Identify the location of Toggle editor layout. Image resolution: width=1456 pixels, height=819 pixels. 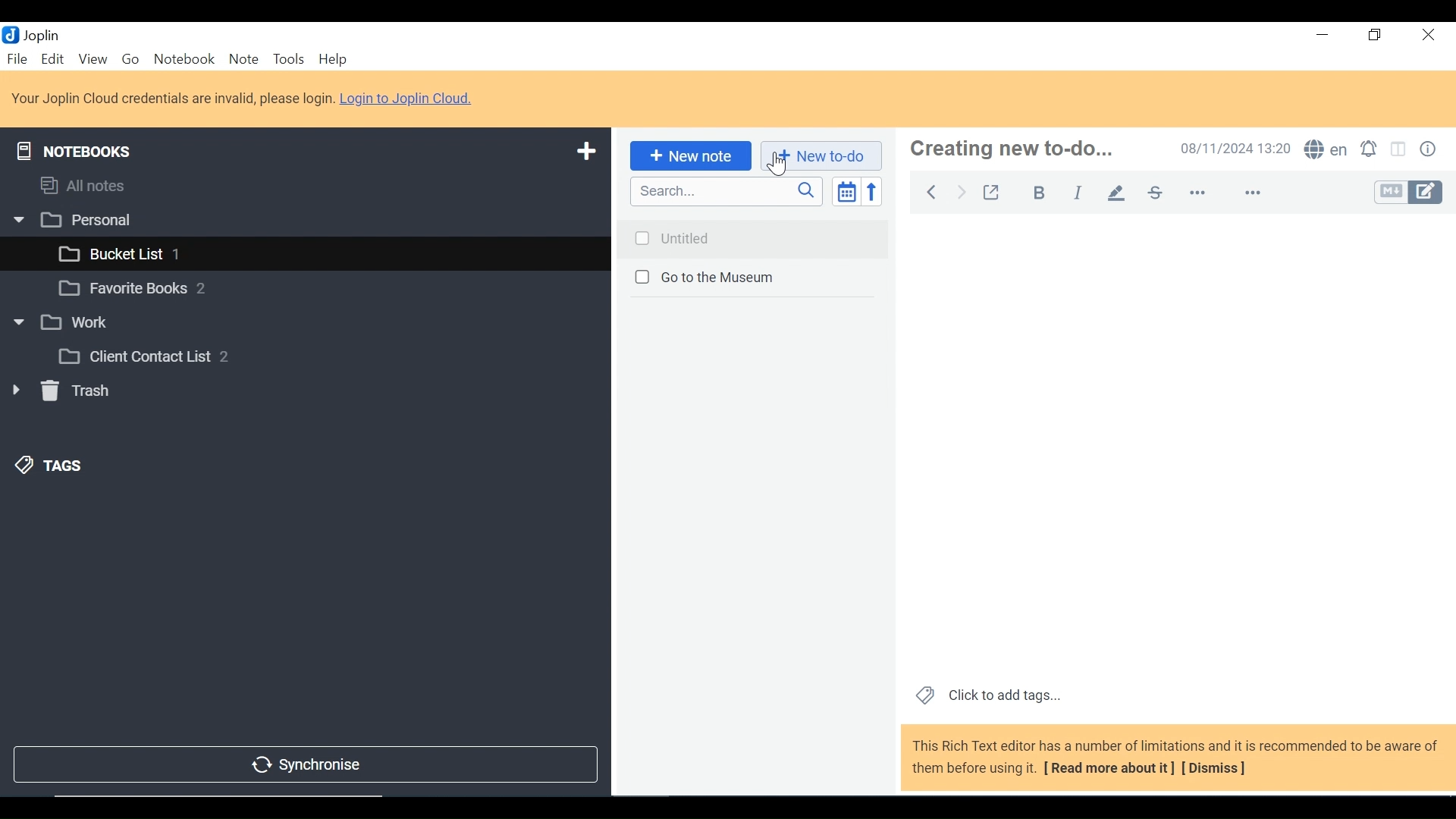
(1400, 149).